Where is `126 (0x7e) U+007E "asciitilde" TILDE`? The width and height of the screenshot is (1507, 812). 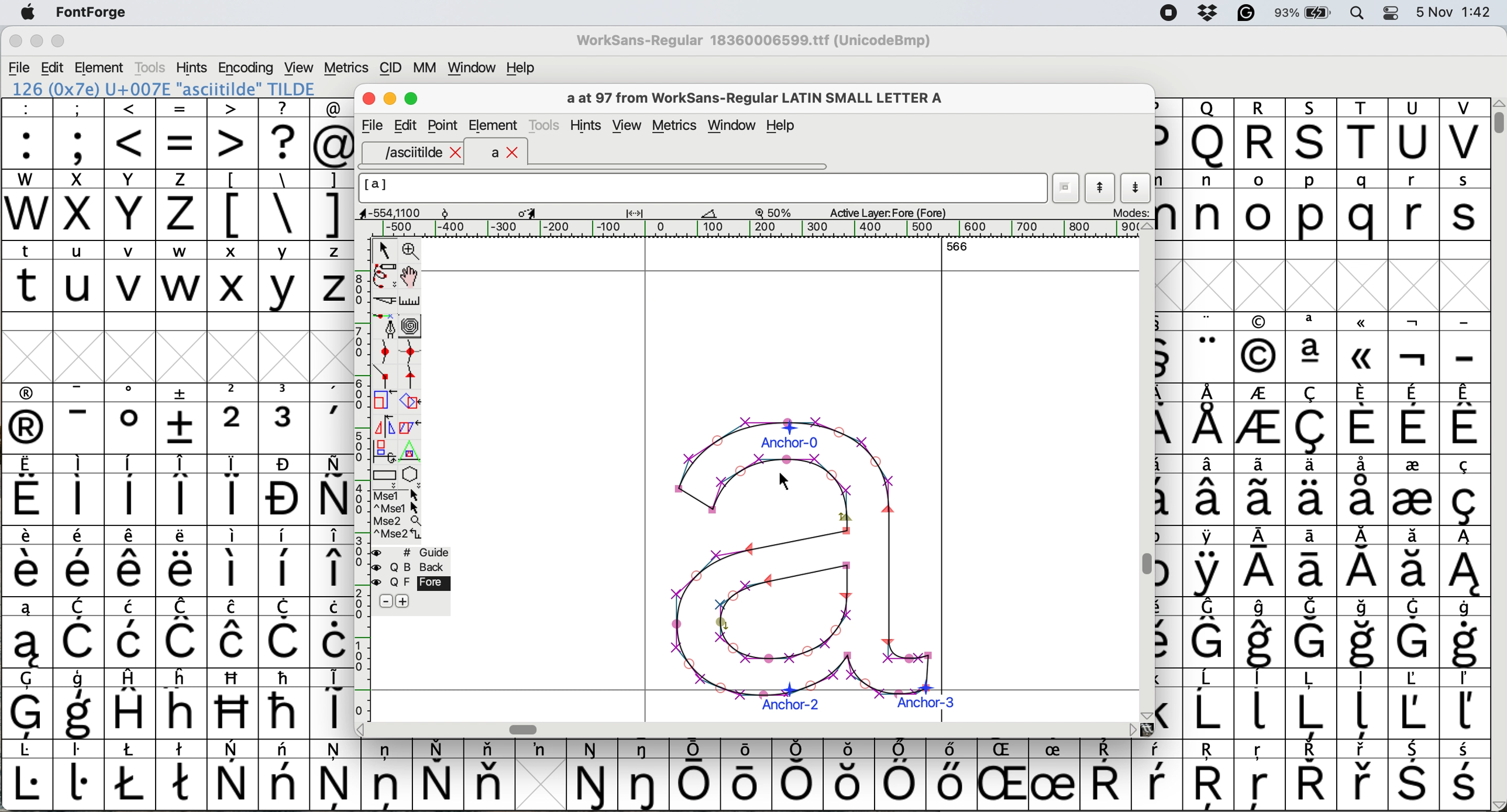
126 (0x7e) U+007E "asciitilde" TILDE is located at coordinates (165, 88).